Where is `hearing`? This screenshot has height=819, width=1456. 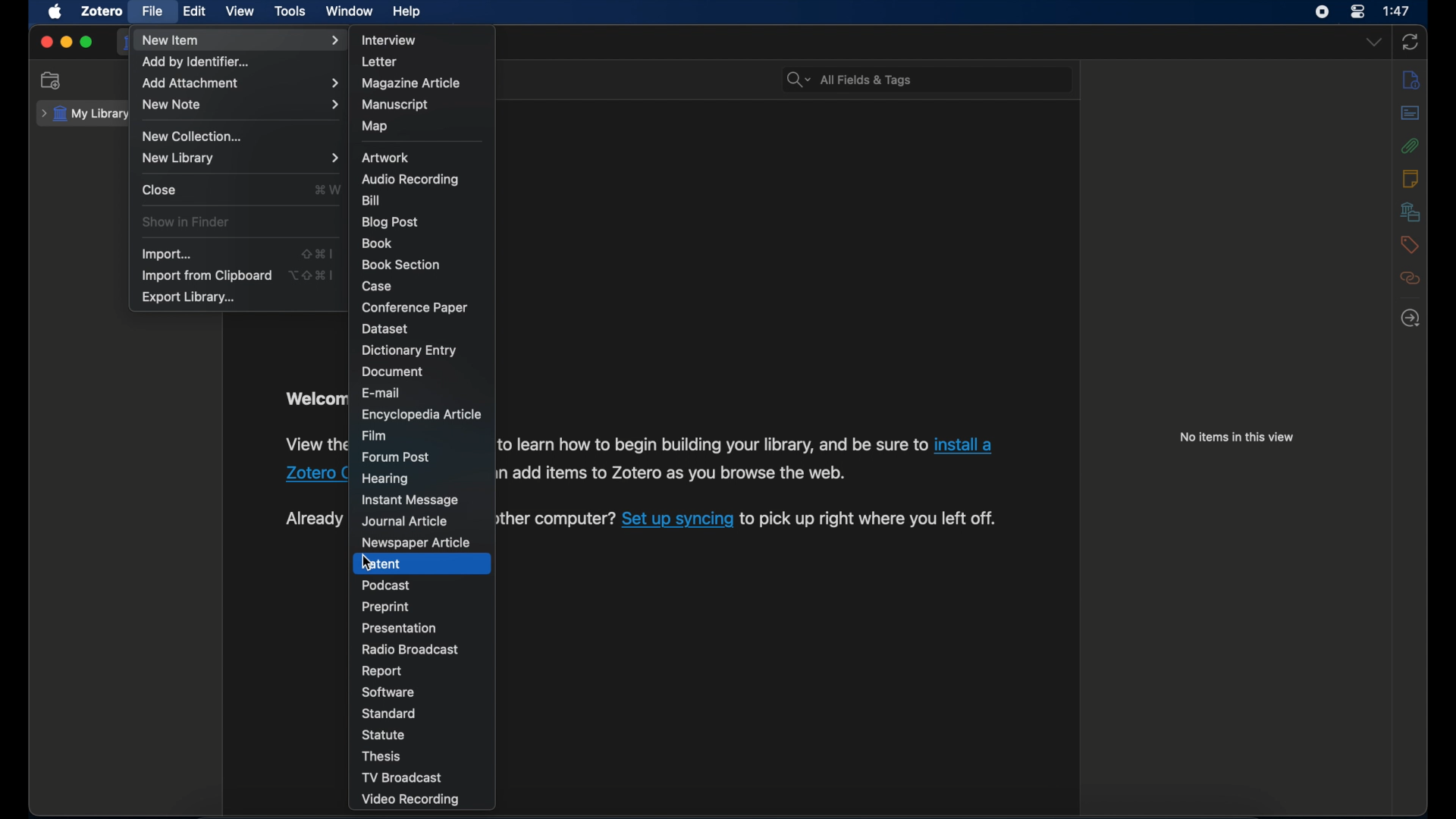 hearing is located at coordinates (386, 478).